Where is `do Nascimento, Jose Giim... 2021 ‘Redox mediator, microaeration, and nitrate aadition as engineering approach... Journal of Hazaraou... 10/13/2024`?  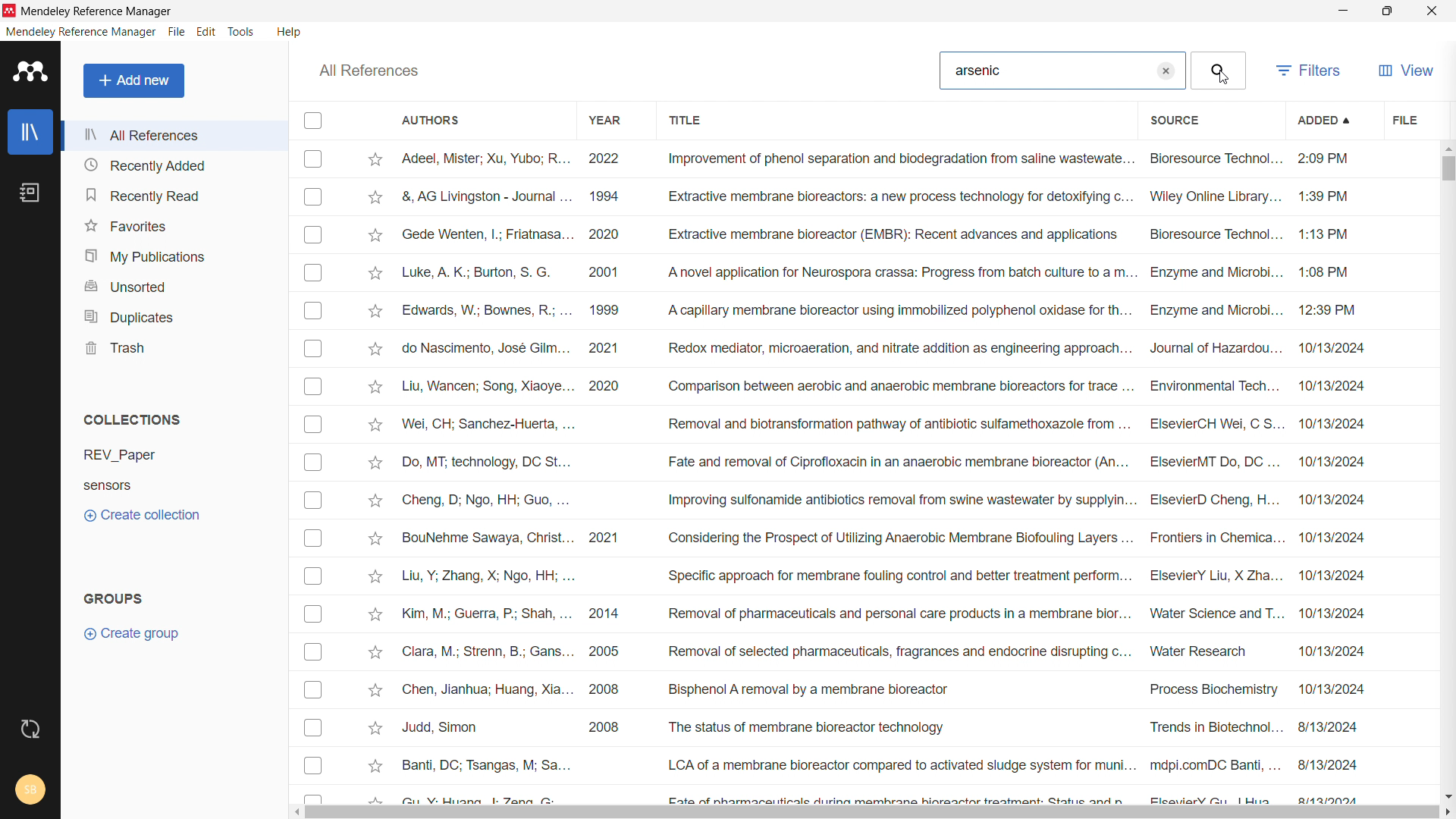
do Nascimento, Jose Giim... 2021 ‘Redox mediator, microaeration, and nitrate aadition as engineering approach... Journal of Hazaraou... 10/13/2024 is located at coordinates (892, 349).